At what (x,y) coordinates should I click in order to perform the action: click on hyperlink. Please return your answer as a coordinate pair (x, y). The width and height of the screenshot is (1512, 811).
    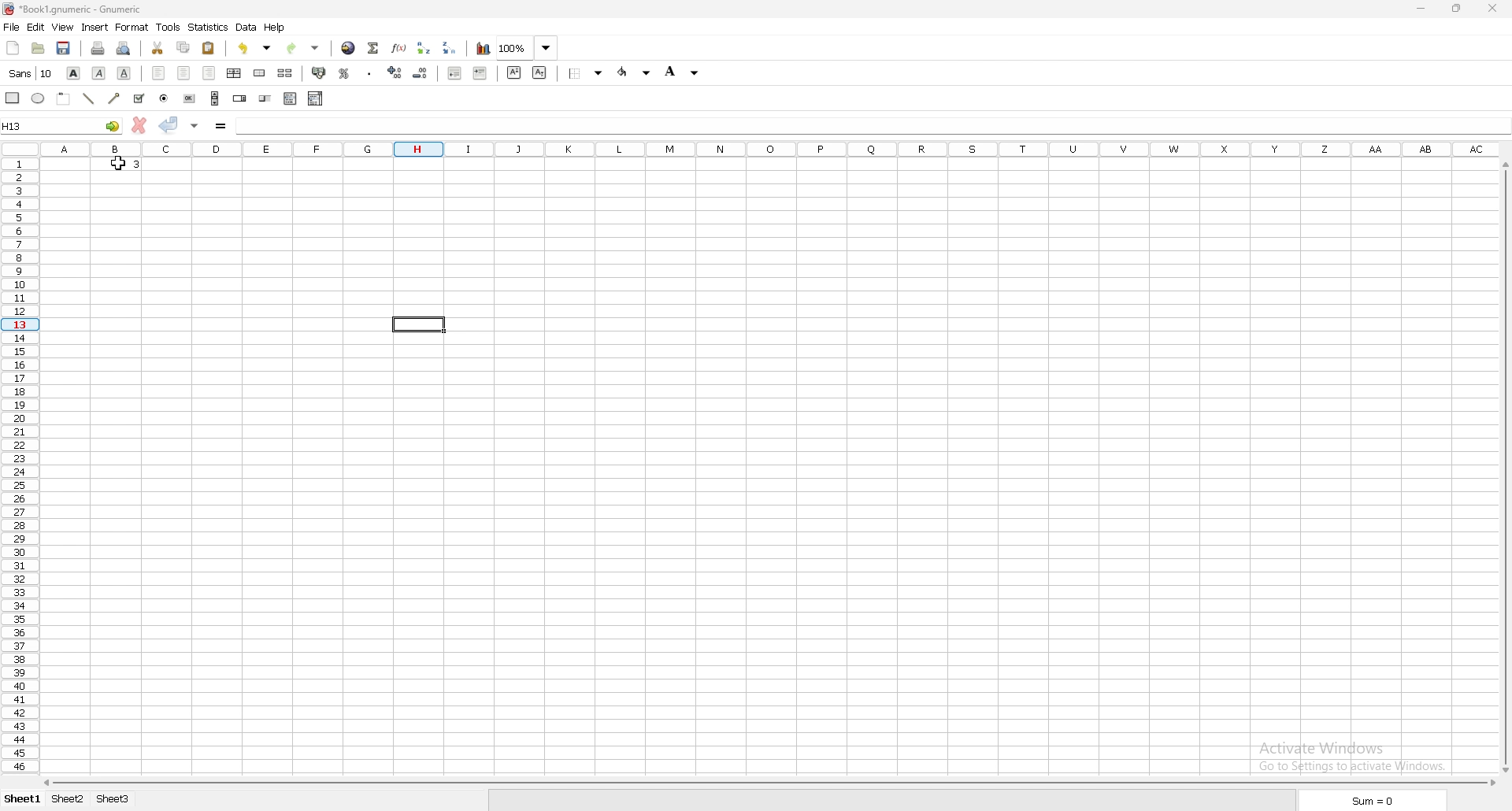
    Looking at the image, I should click on (349, 49).